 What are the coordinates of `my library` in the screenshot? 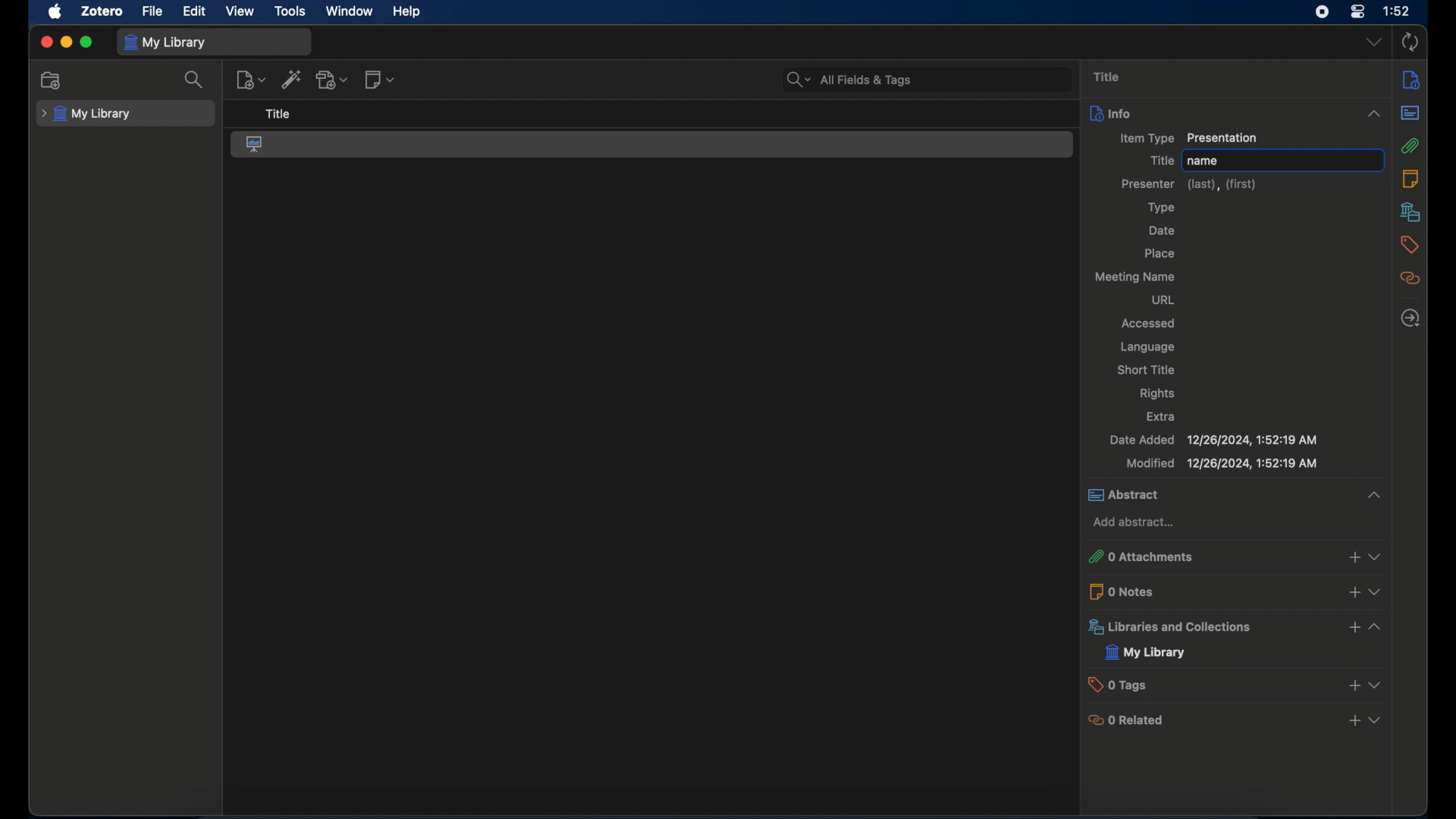 It's located at (167, 42).